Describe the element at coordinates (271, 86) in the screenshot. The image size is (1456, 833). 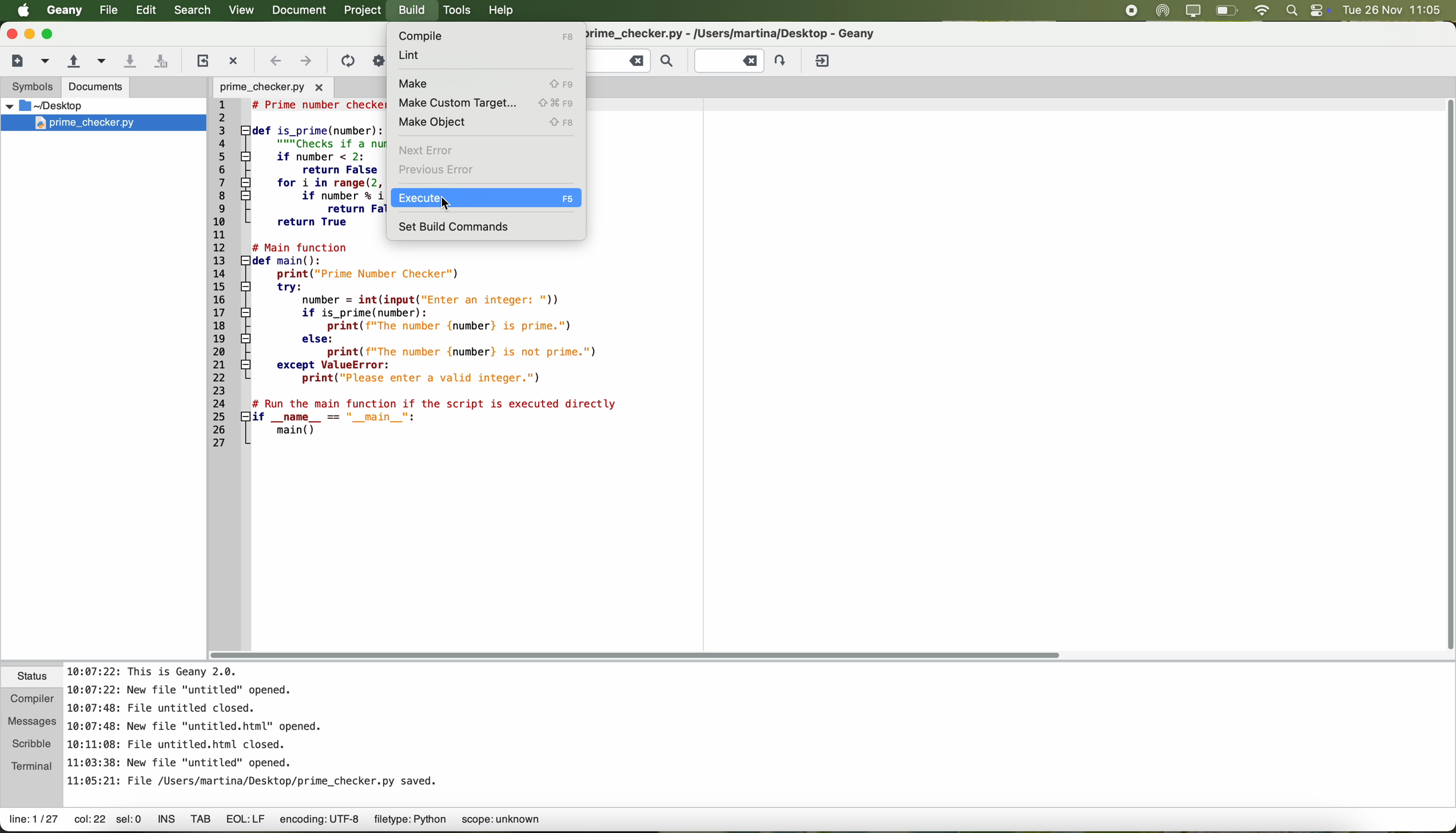
I see `open file` at that location.